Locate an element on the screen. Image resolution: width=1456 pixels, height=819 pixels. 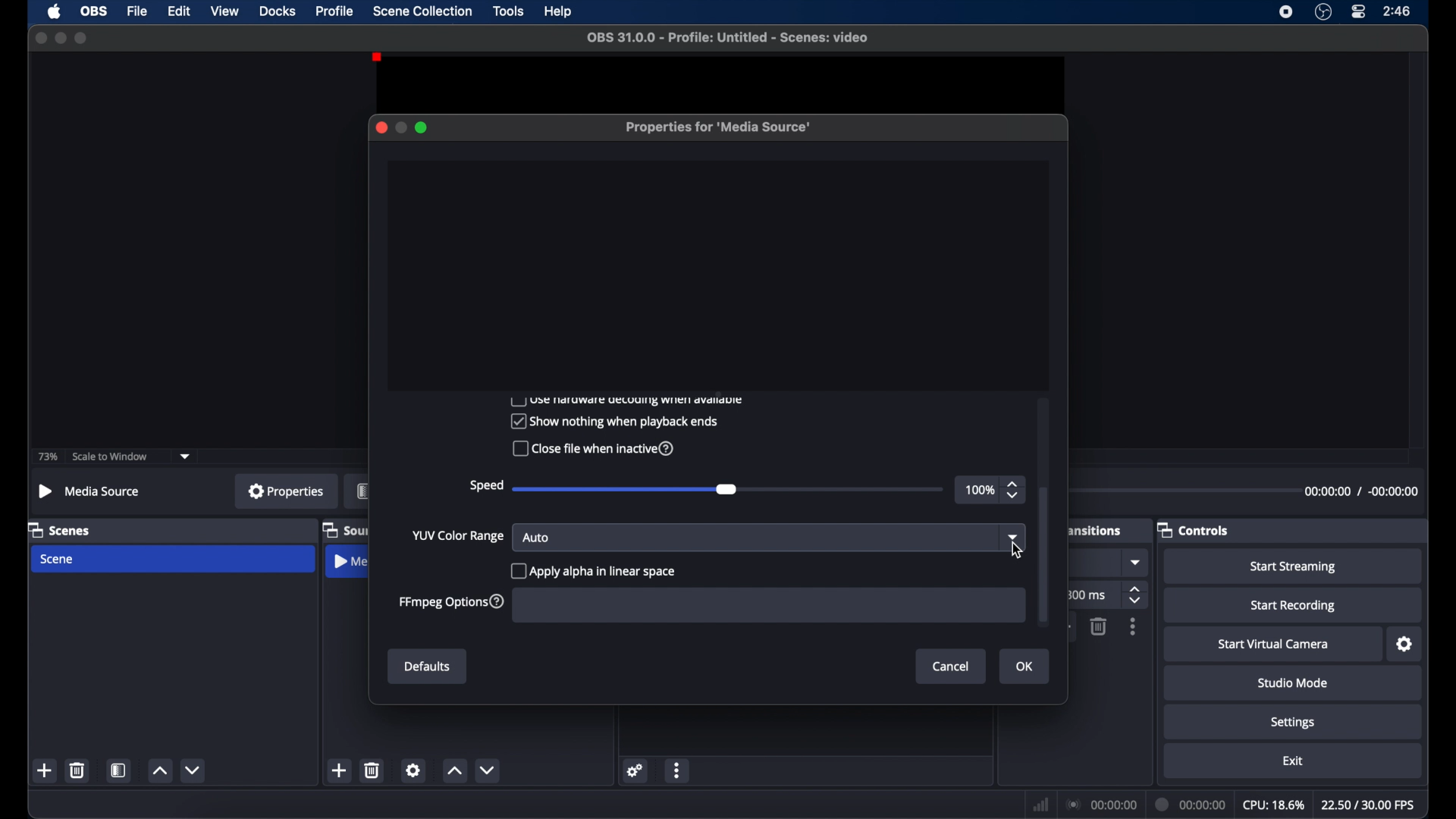
increment is located at coordinates (455, 772).